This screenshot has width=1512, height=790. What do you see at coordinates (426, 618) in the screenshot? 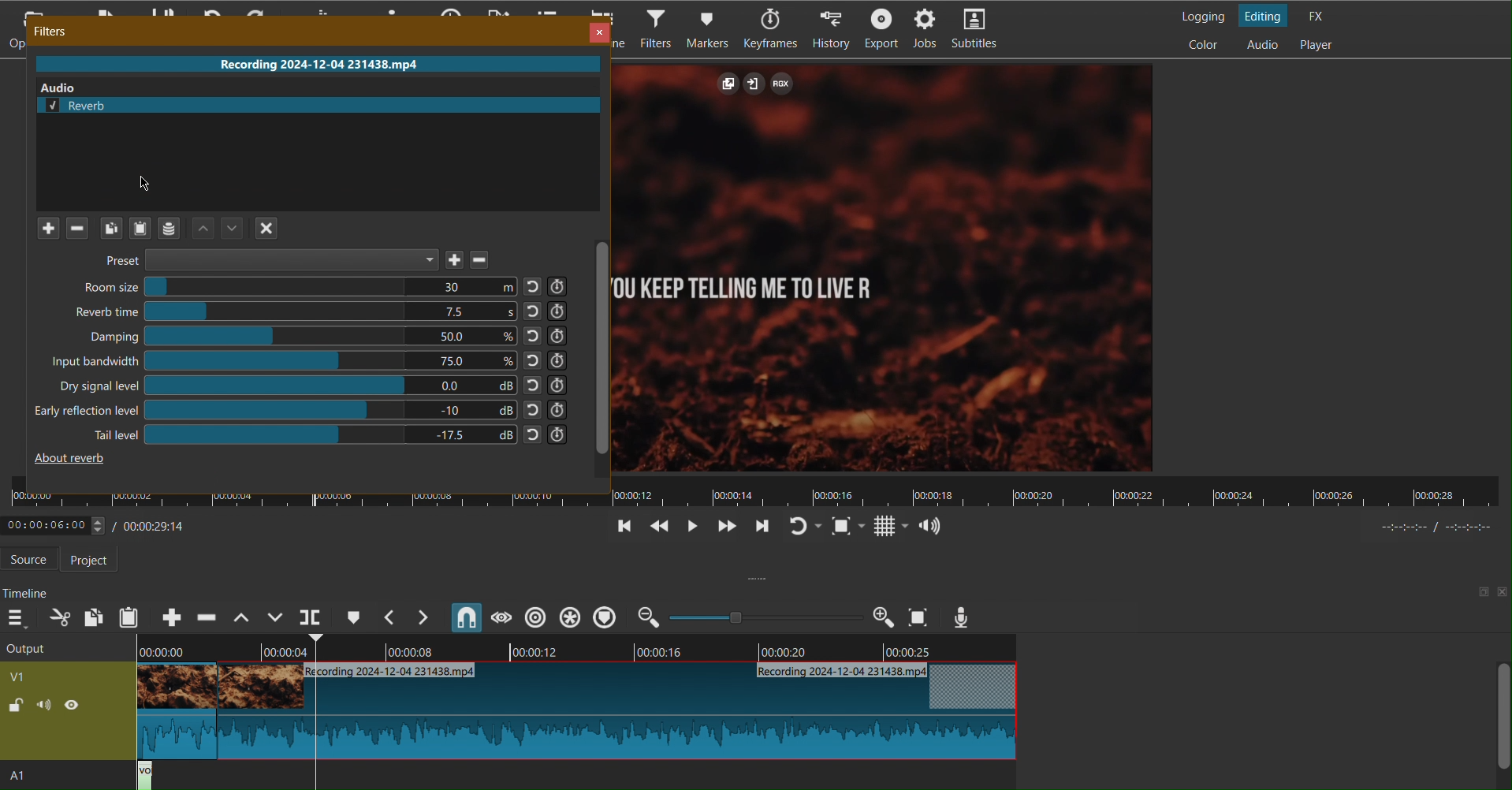
I see `Next Marker` at bounding box center [426, 618].